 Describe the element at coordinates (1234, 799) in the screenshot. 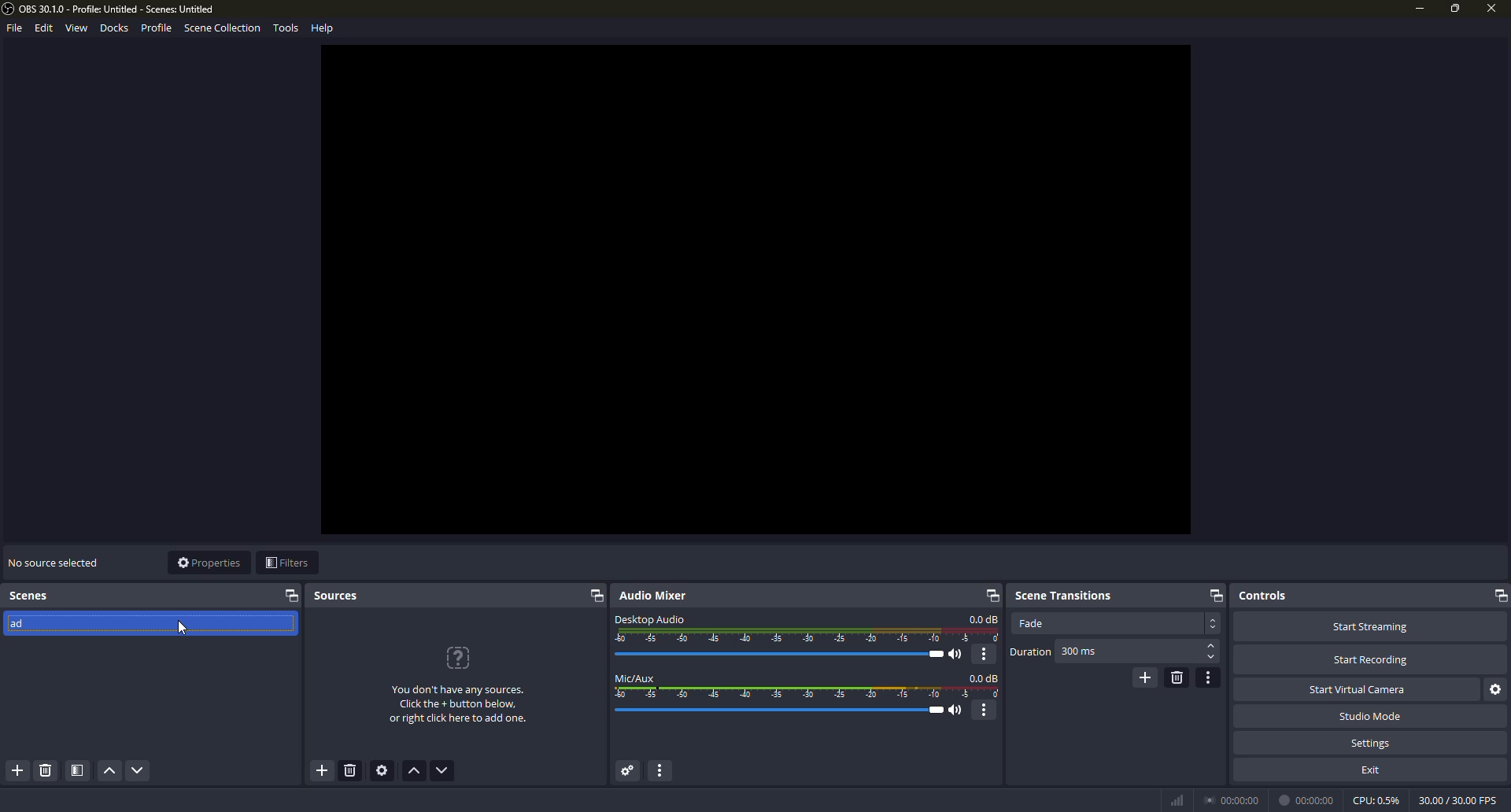

I see `time` at that location.